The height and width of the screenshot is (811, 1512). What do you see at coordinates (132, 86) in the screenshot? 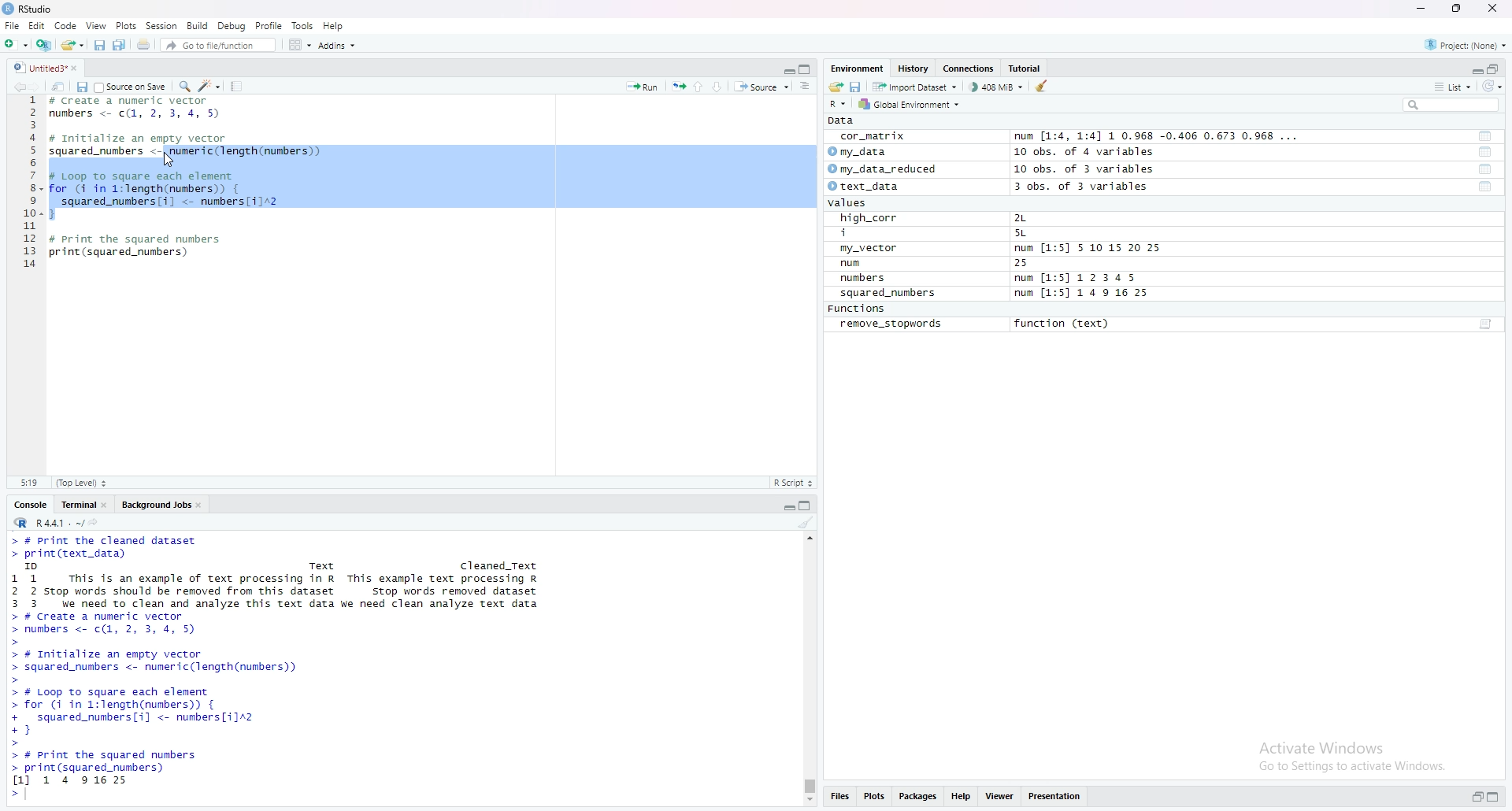
I see `Source on save` at bounding box center [132, 86].